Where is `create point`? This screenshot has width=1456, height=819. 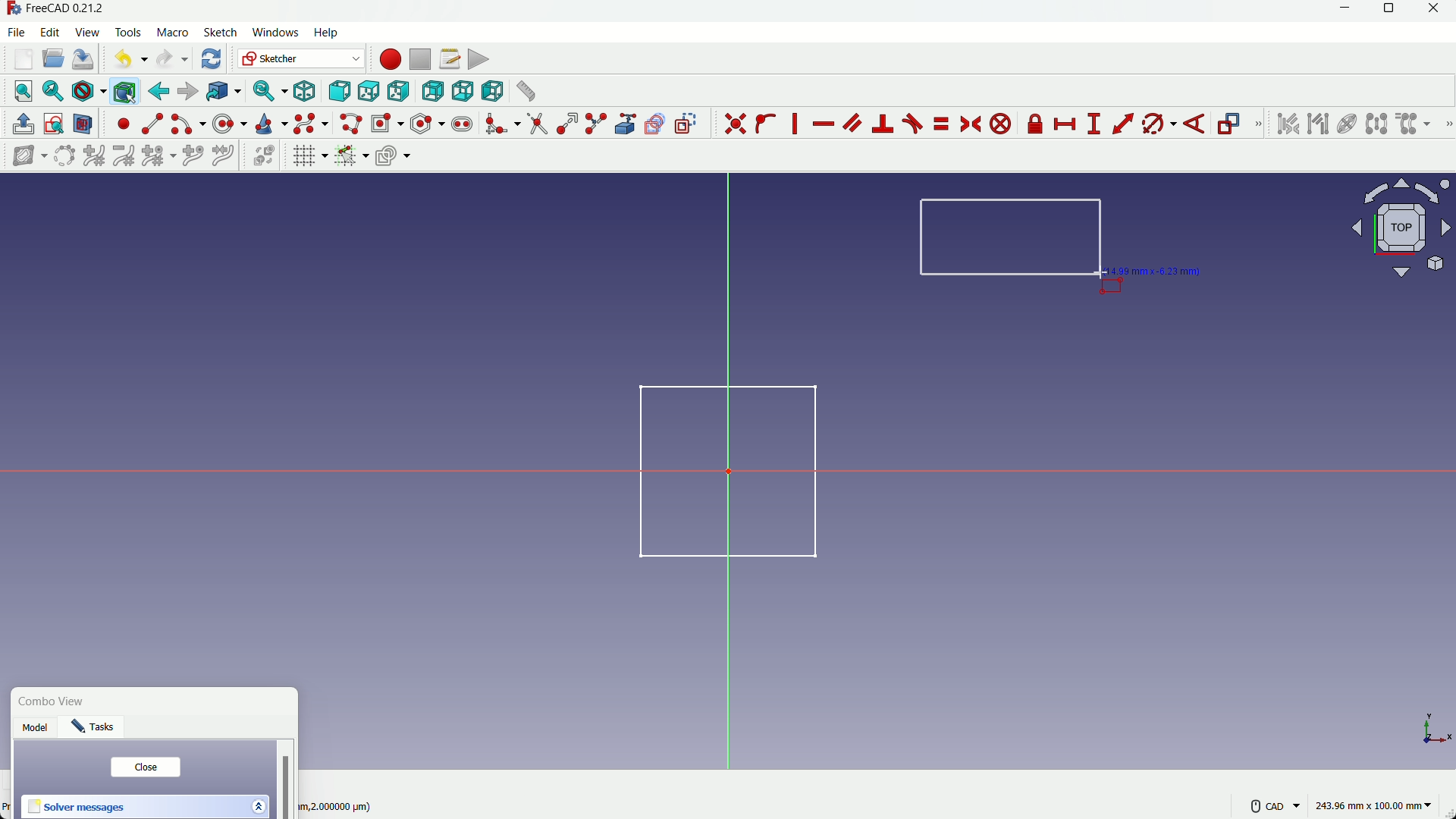
create point is located at coordinates (124, 124).